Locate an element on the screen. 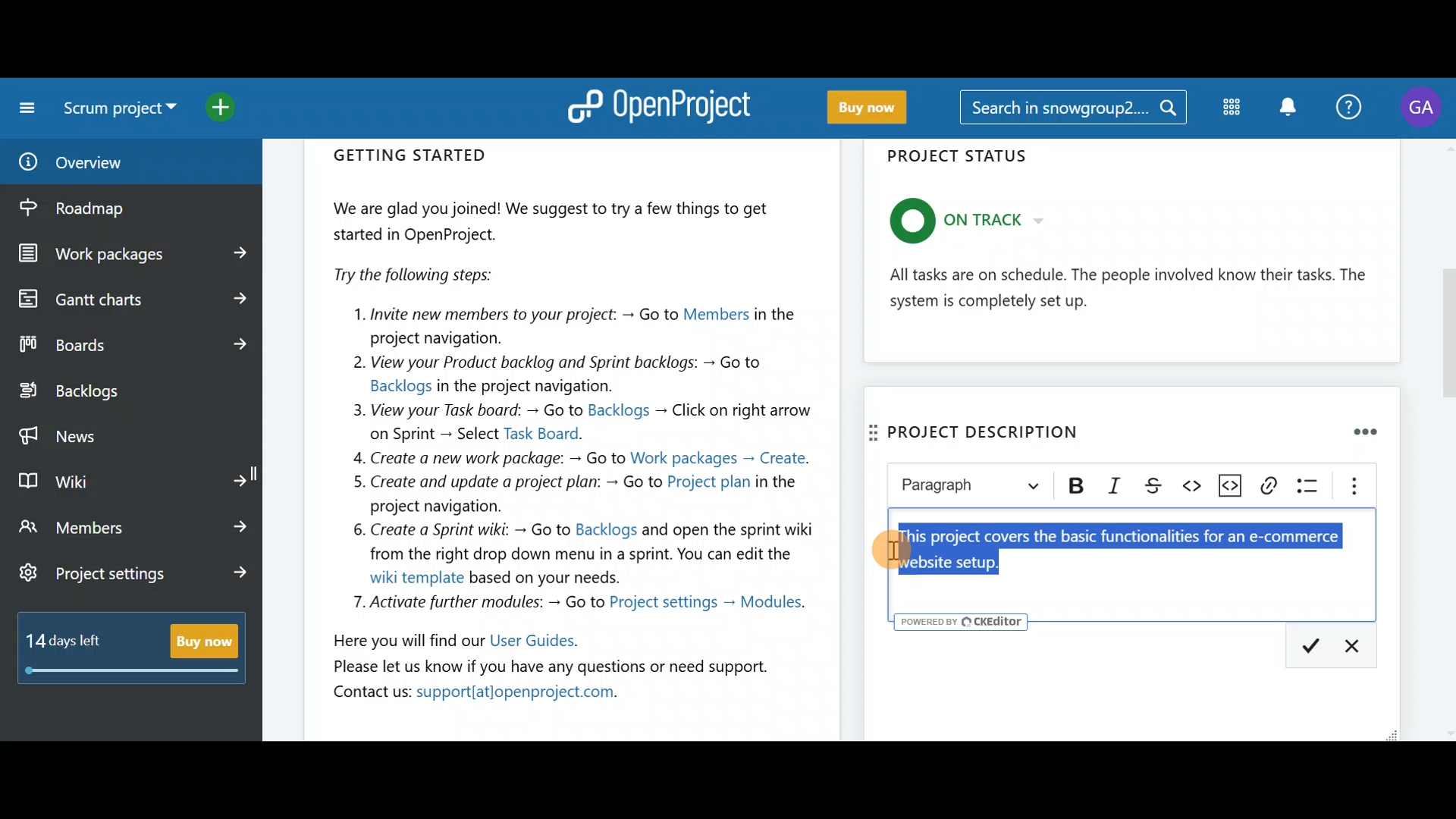 This screenshot has height=819, width=1456. Text editor is located at coordinates (1141, 563).